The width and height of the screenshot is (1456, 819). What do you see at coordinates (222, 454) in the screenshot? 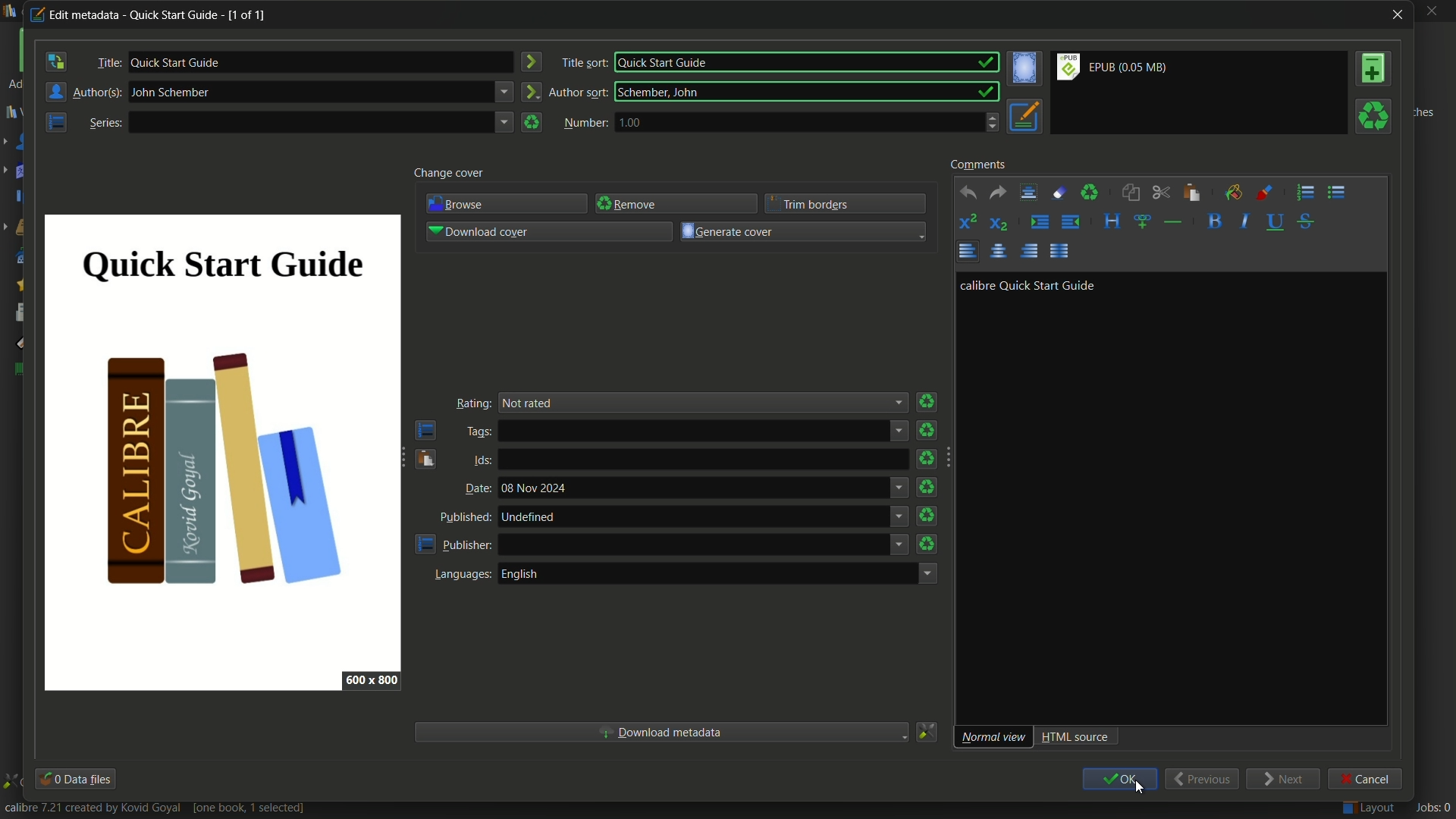
I see `image` at bounding box center [222, 454].